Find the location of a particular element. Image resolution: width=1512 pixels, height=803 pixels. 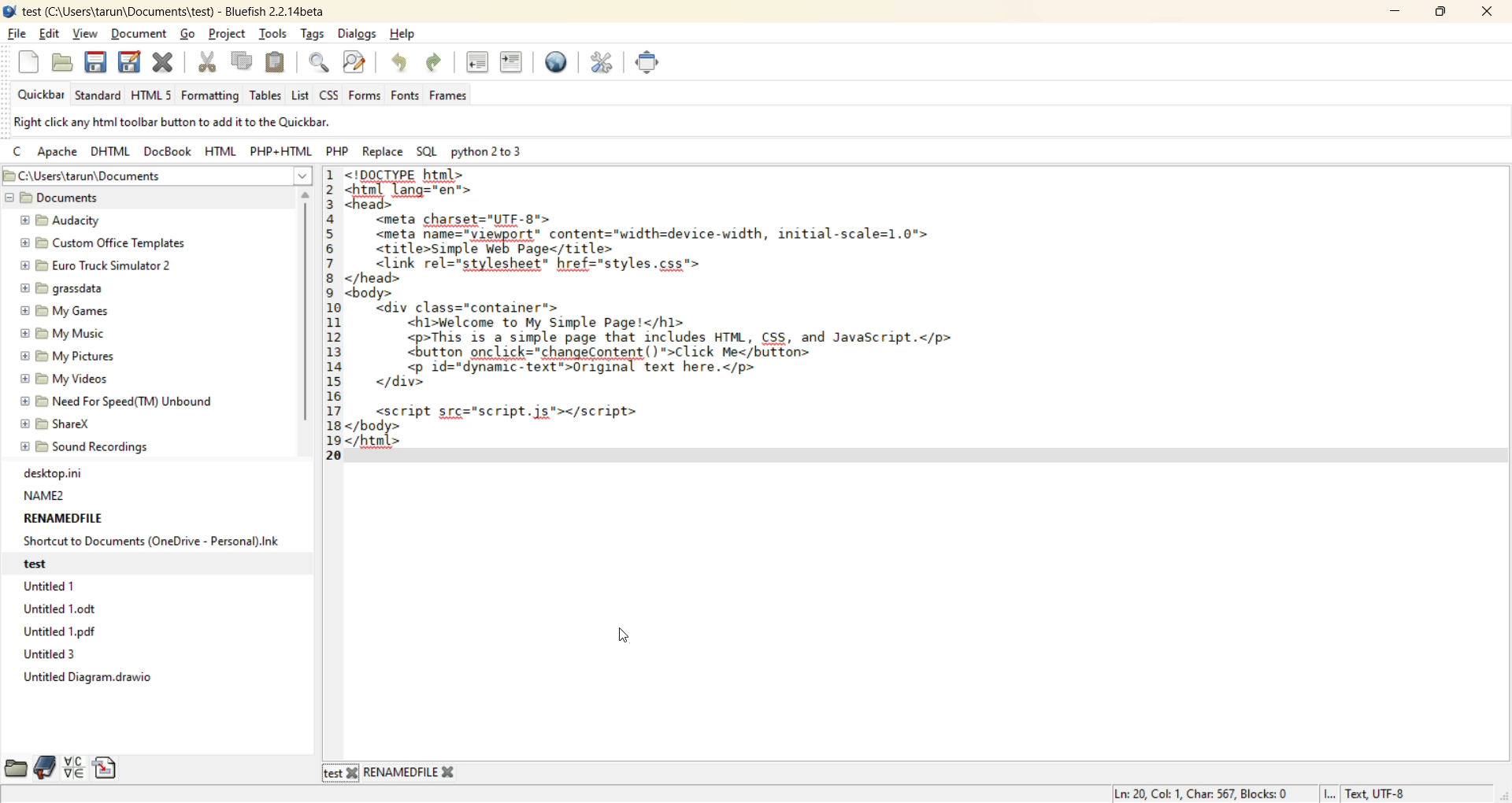

tables is located at coordinates (265, 94).